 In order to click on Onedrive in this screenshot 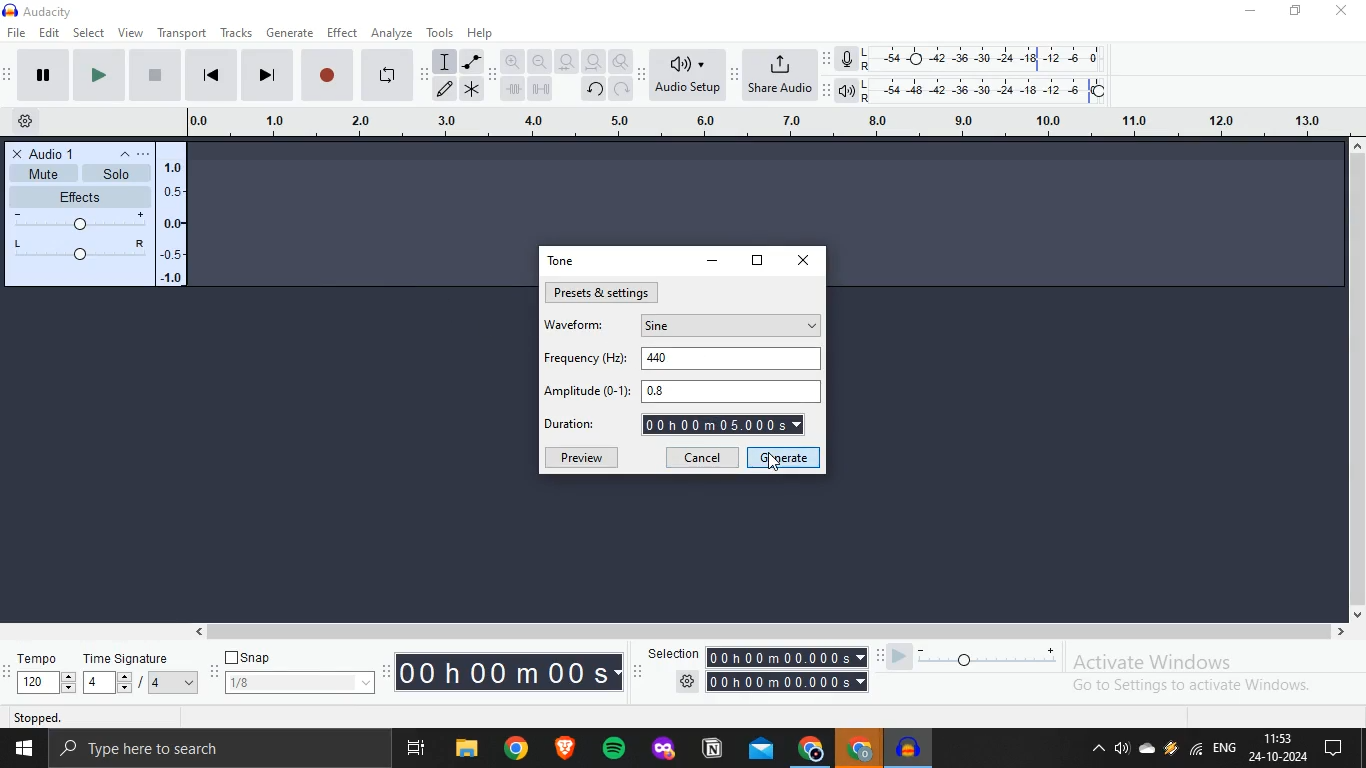, I will do `click(1145, 752)`.